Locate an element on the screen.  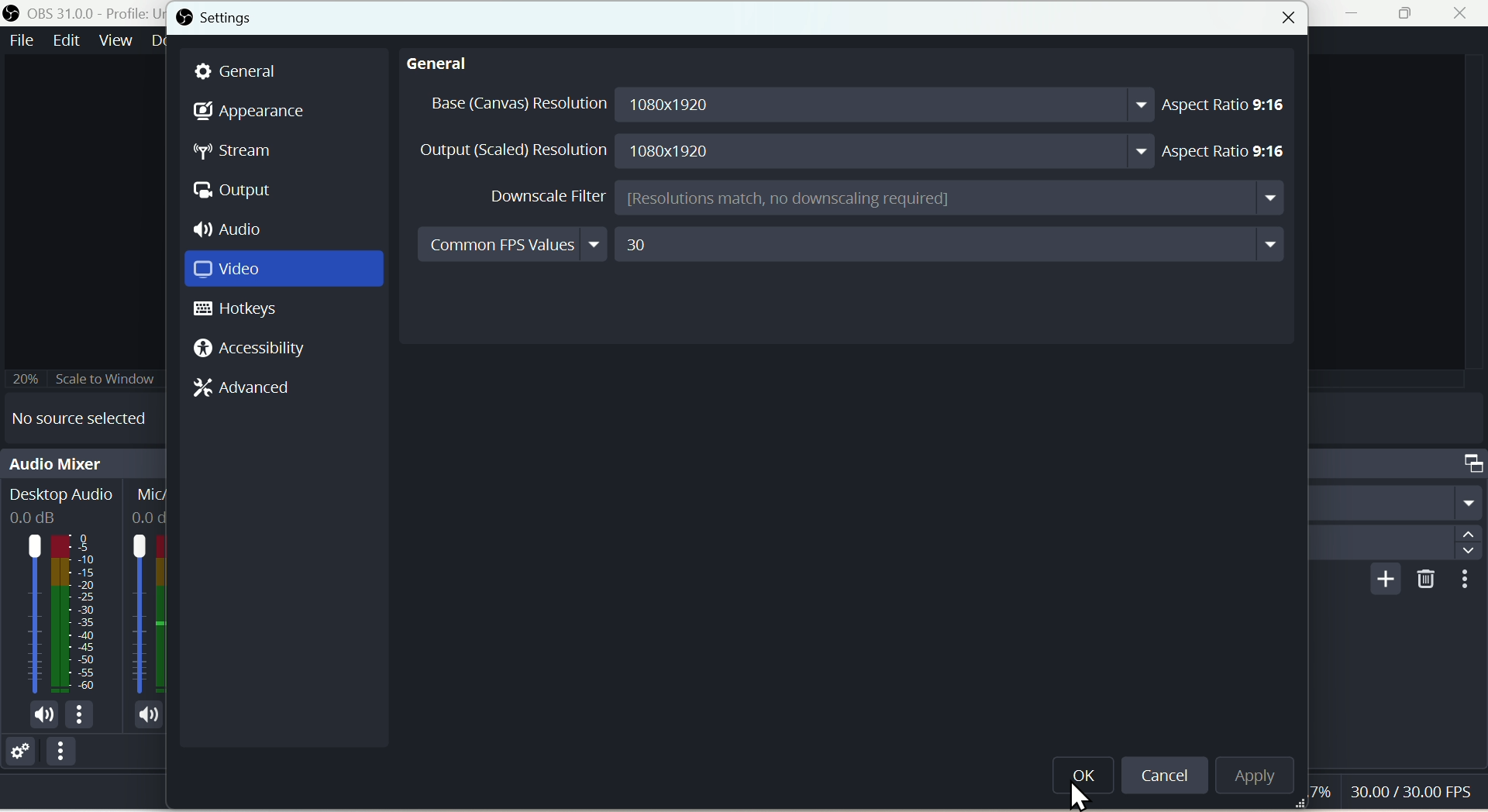
Scale to window is located at coordinates (88, 377).